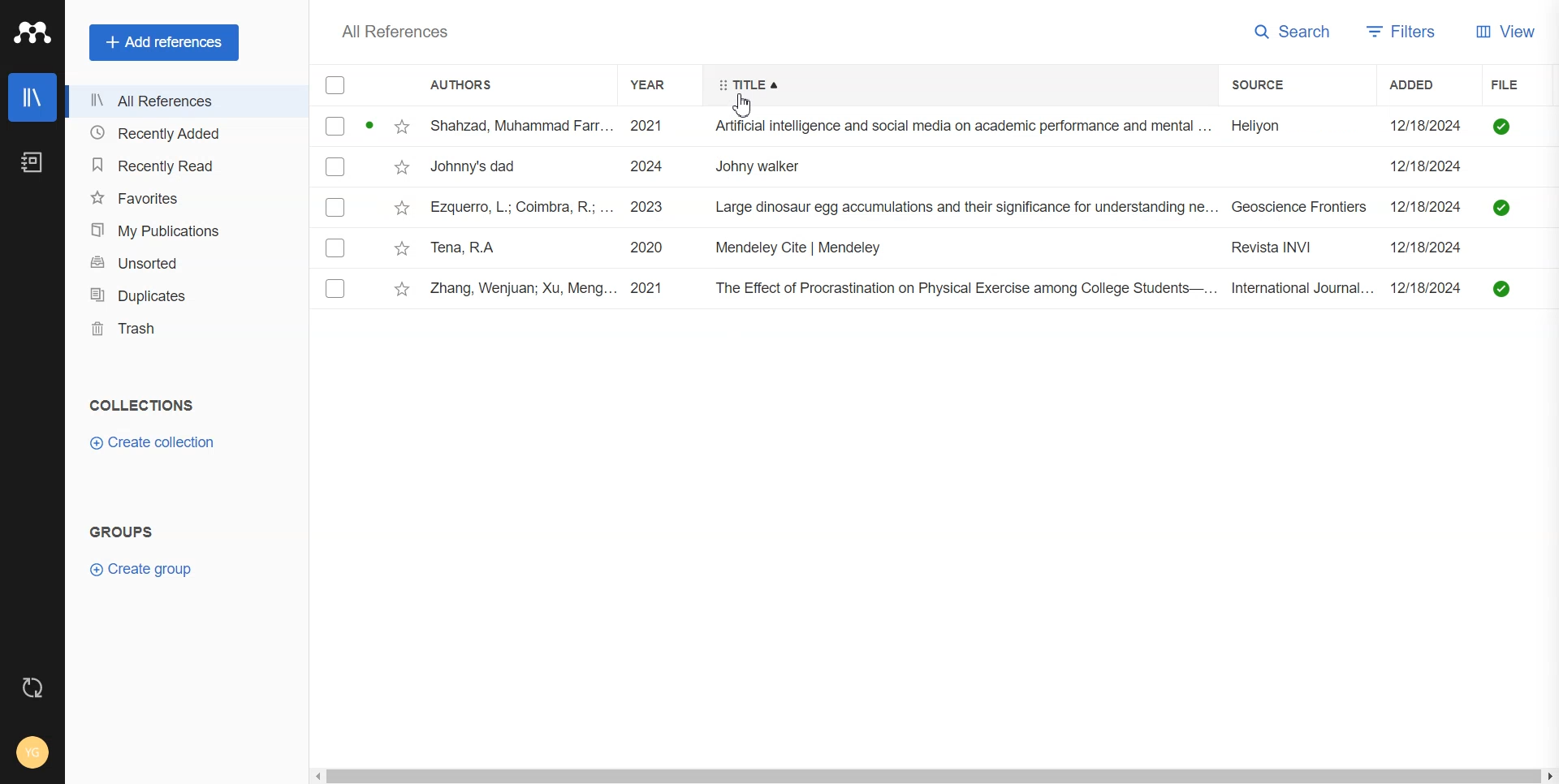  Describe the element at coordinates (187, 263) in the screenshot. I see `Unsorted` at that location.